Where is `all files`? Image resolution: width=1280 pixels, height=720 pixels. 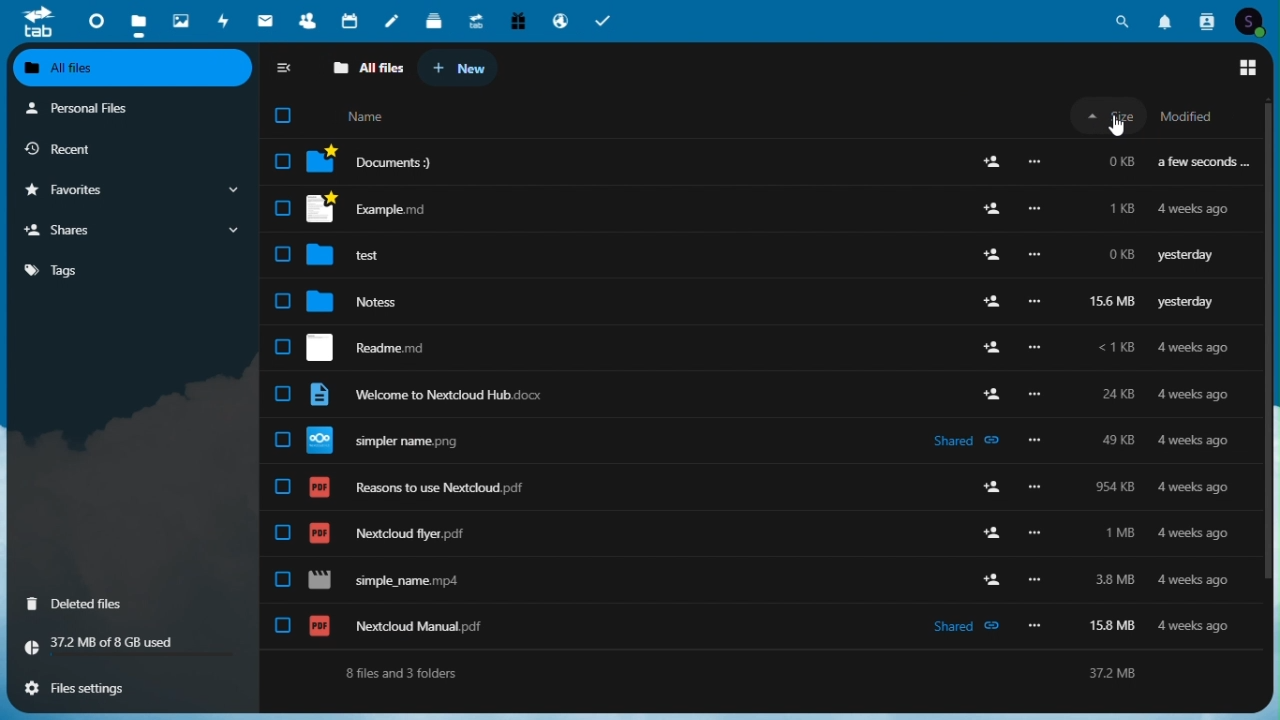
all files is located at coordinates (135, 68).